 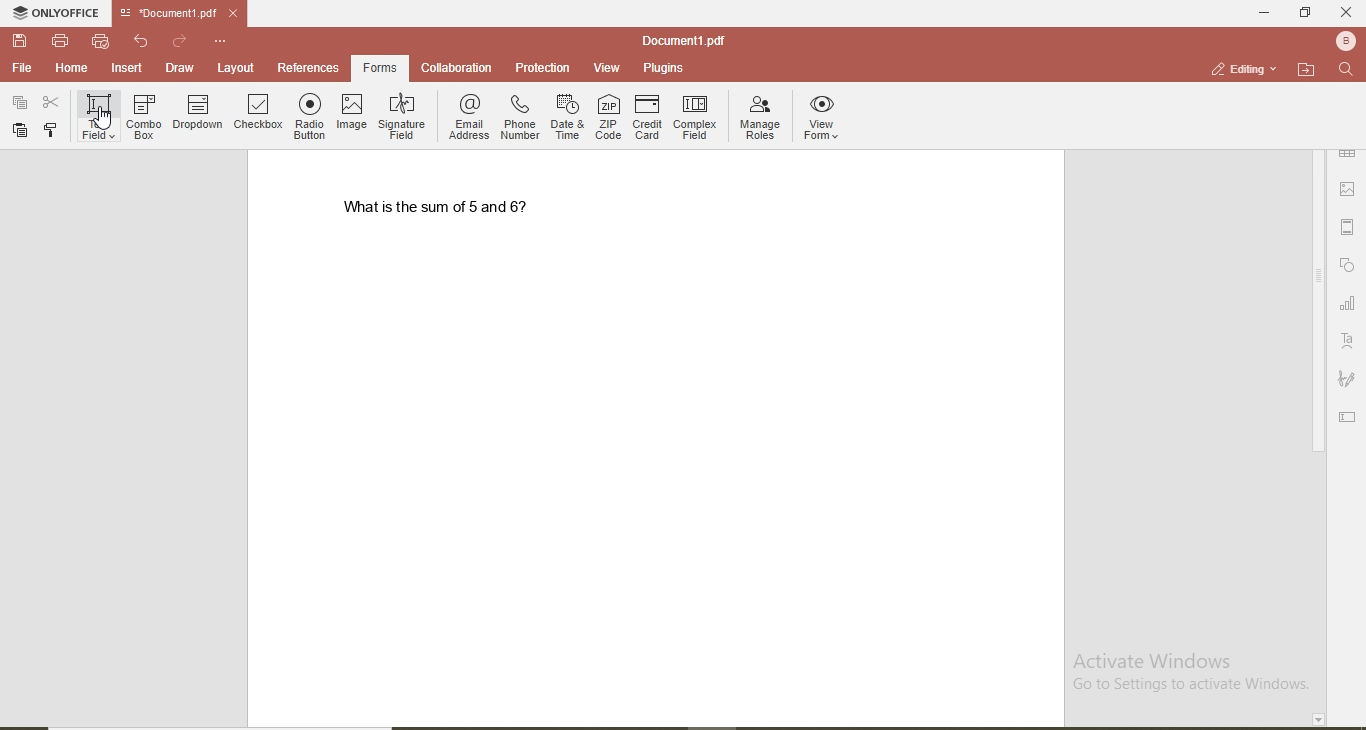 What do you see at coordinates (1349, 304) in the screenshot?
I see `chart` at bounding box center [1349, 304].